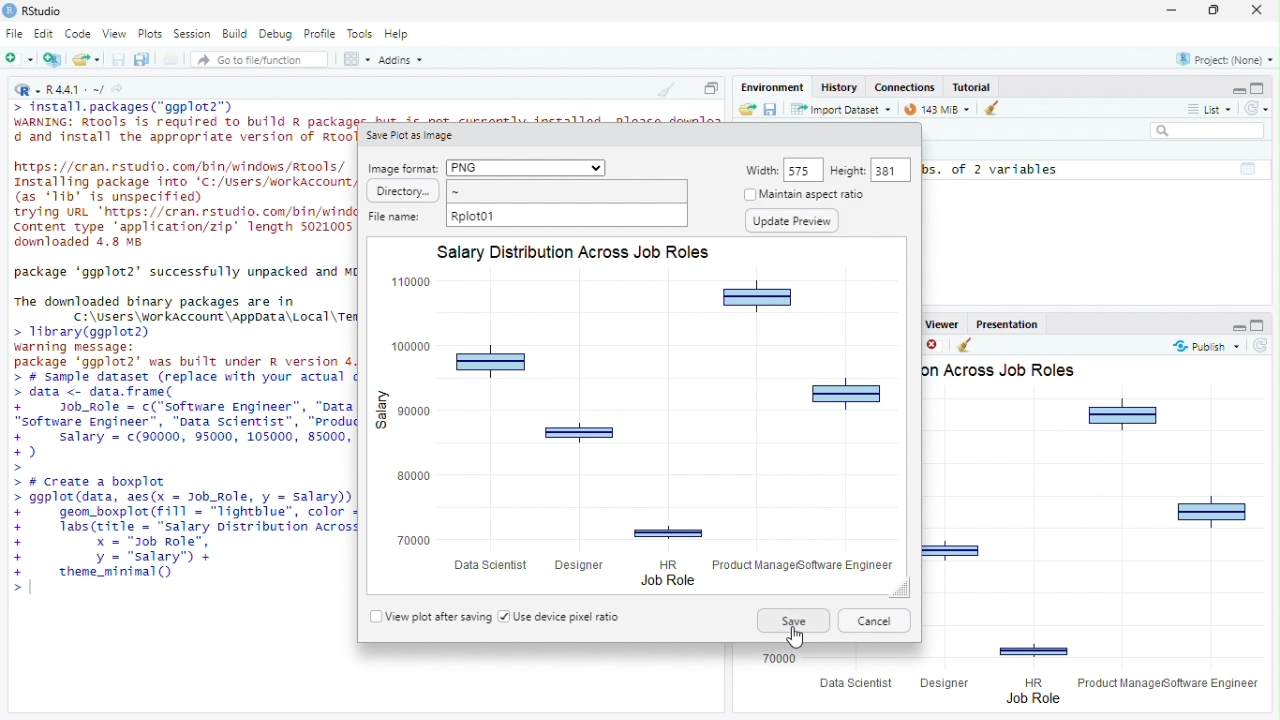  I want to click on Viewer, so click(941, 323).